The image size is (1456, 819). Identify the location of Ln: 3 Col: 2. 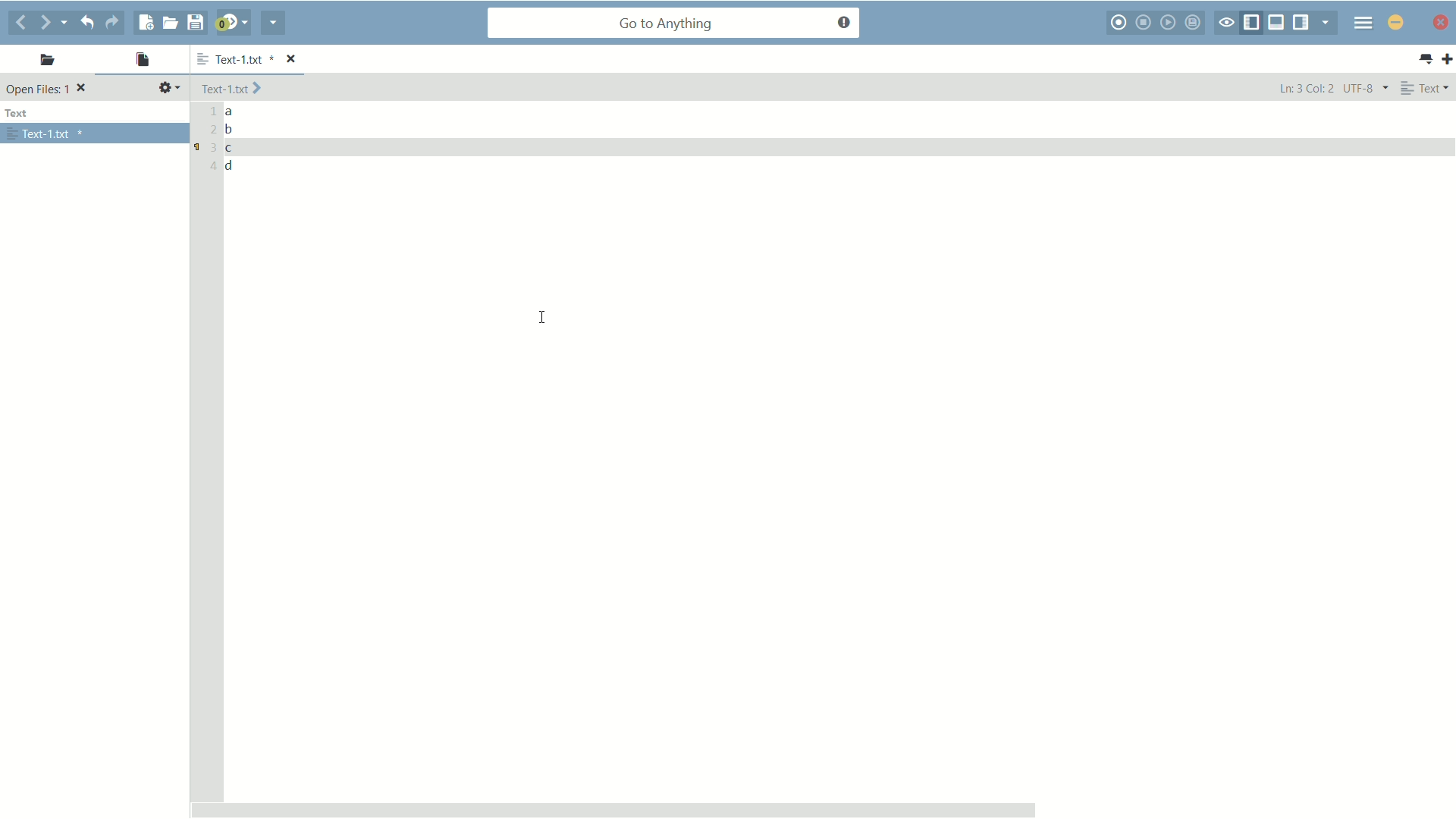
(1305, 89).